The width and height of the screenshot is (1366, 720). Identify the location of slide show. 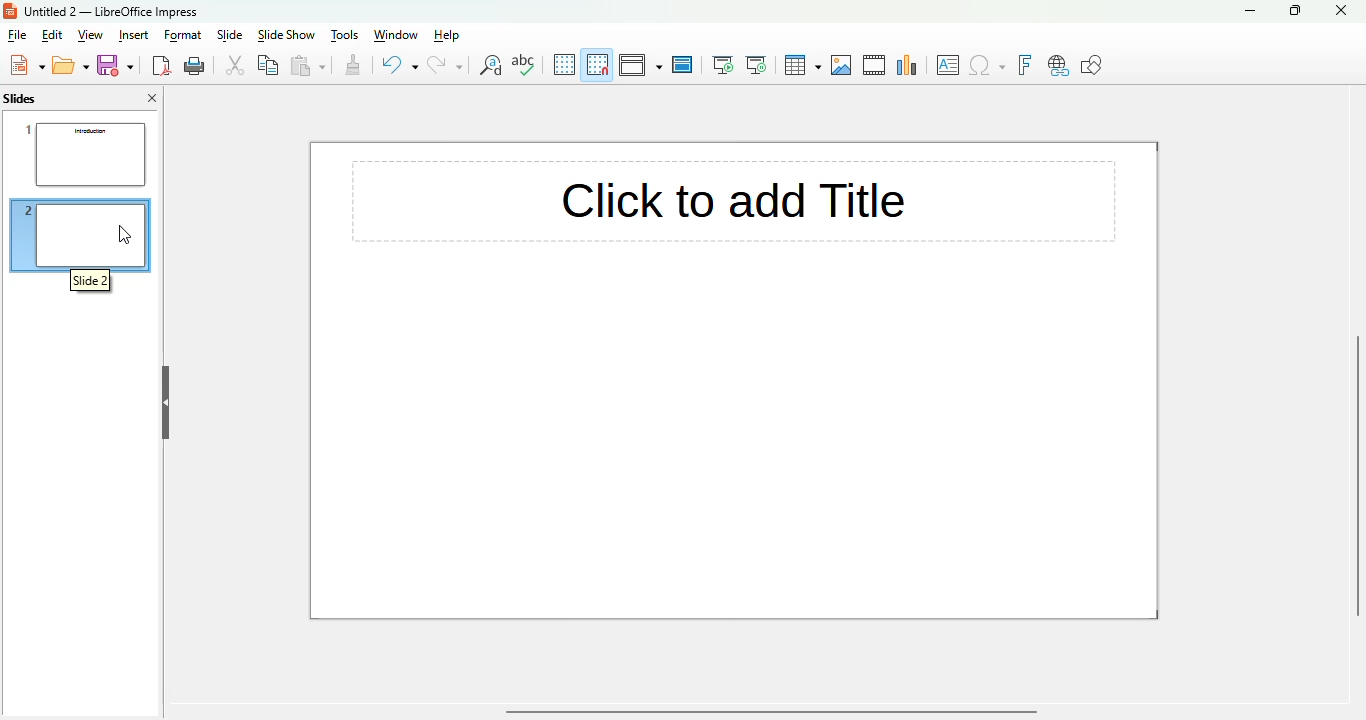
(286, 35).